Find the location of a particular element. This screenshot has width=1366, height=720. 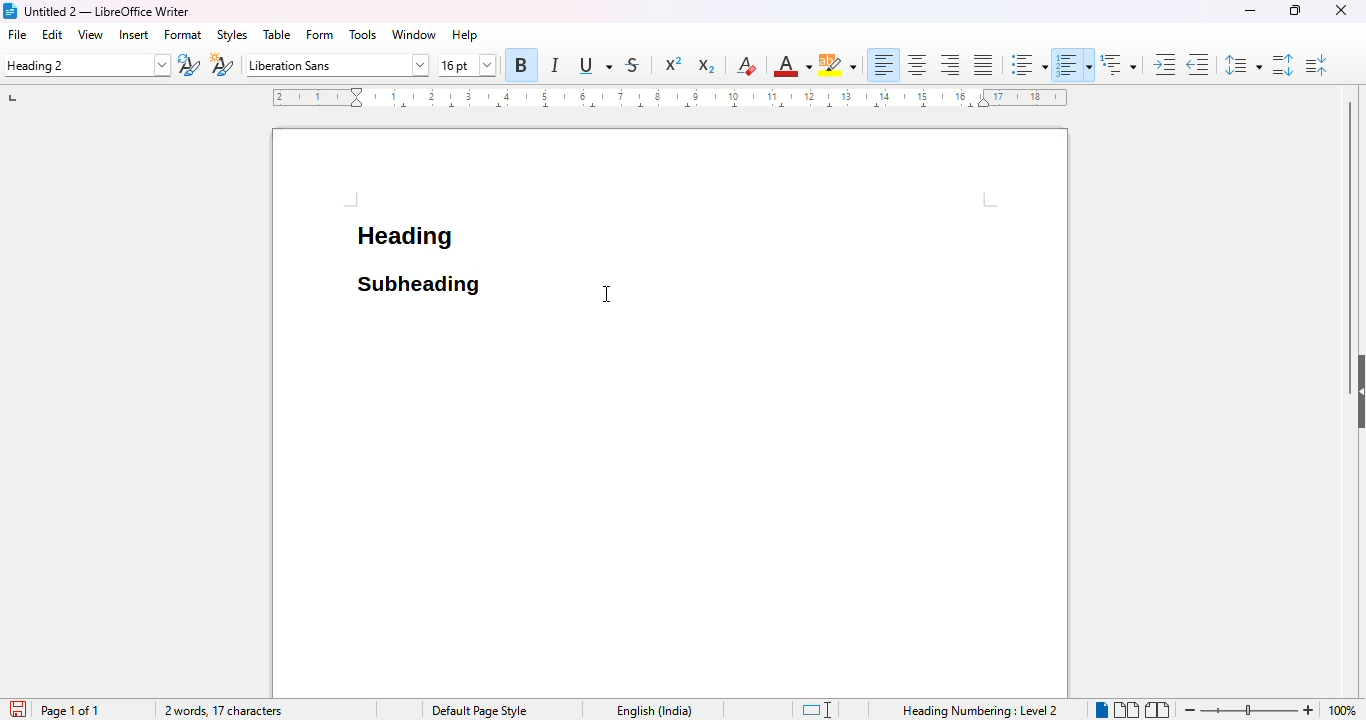

table is located at coordinates (277, 34).